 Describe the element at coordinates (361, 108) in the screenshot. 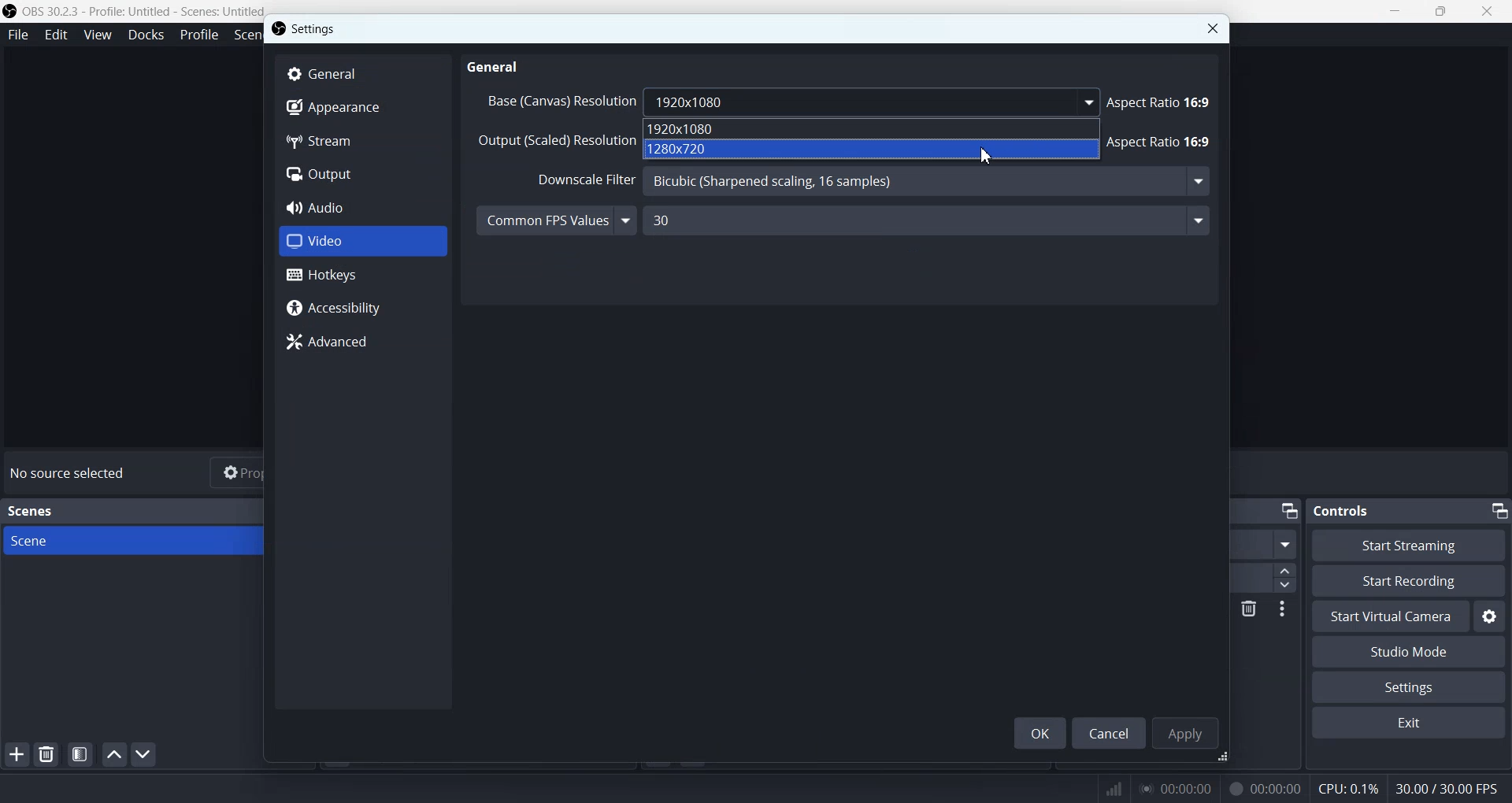

I see `Appearance` at that location.